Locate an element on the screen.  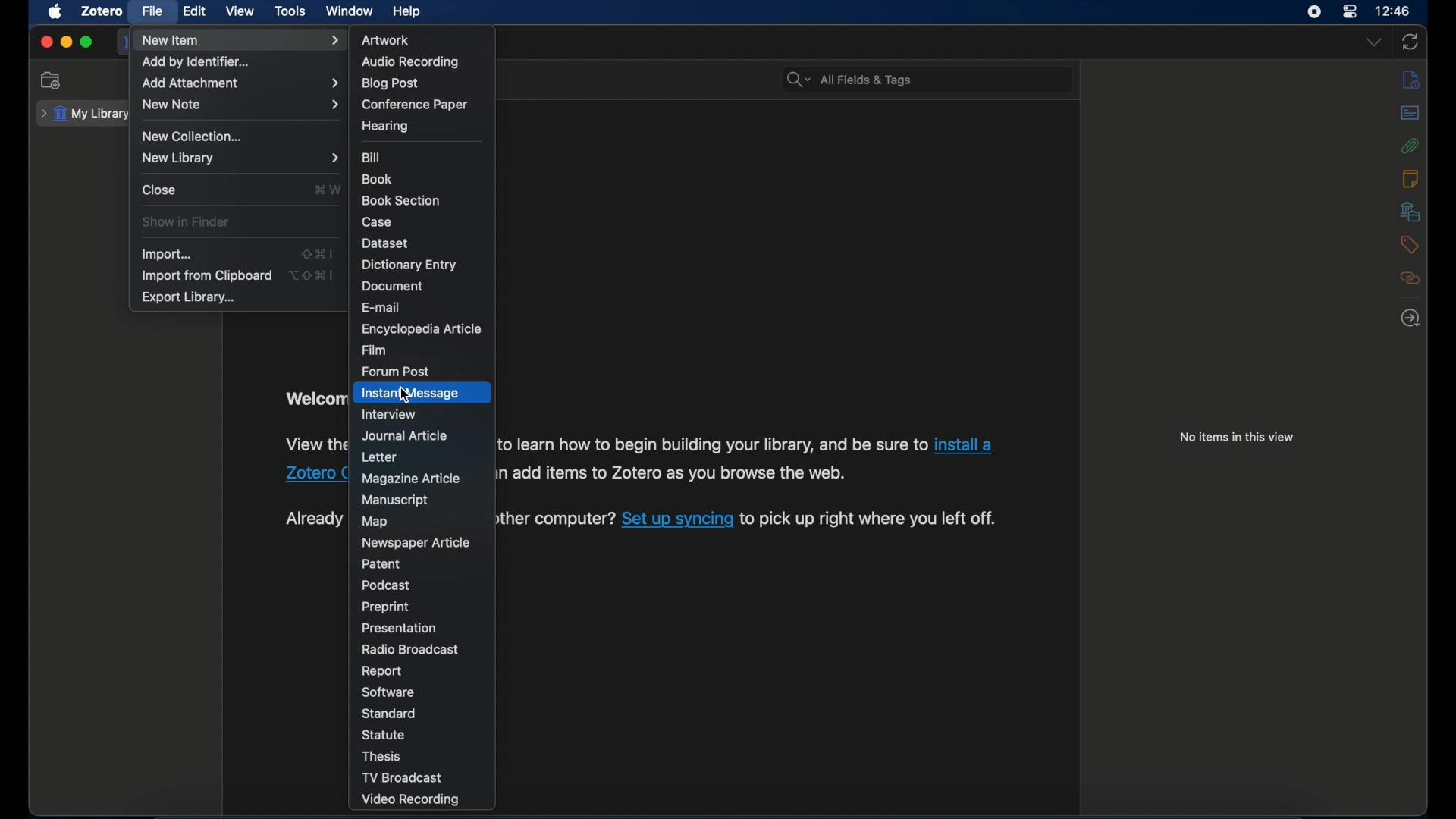
drop-down is located at coordinates (1375, 42).